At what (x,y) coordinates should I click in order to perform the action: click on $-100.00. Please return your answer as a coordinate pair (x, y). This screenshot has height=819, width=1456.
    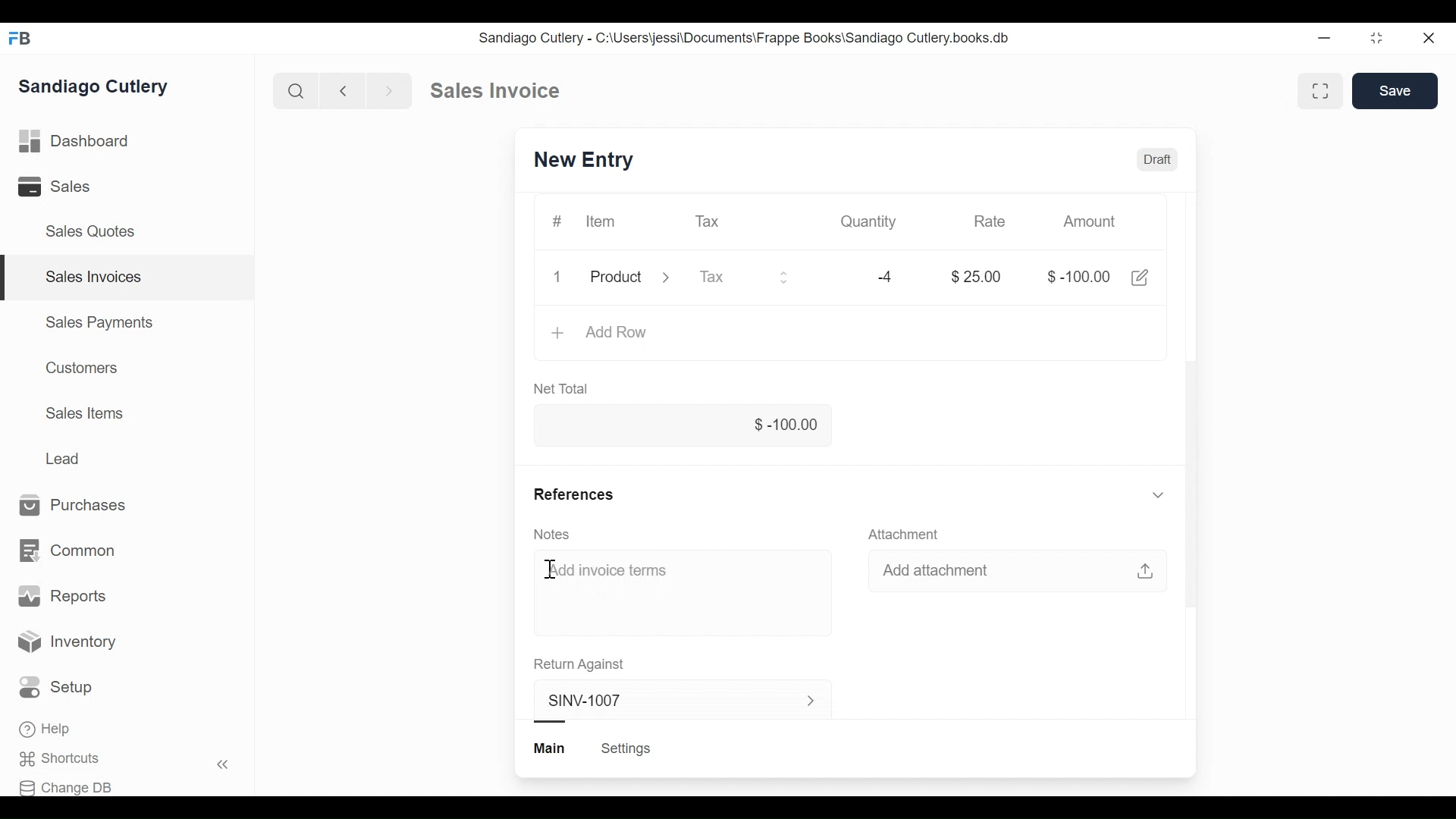
    Looking at the image, I should click on (682, 426).